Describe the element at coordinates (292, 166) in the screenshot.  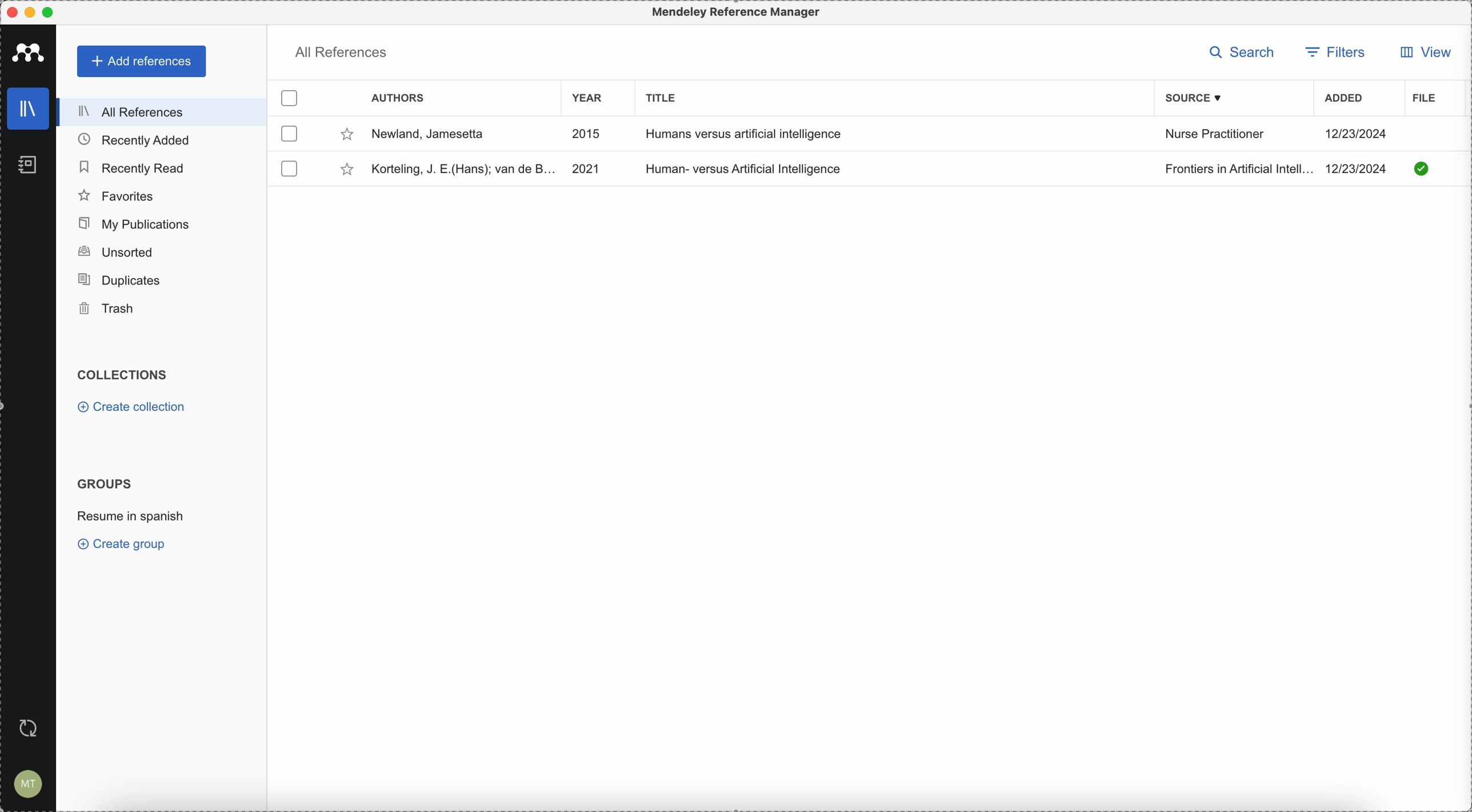
I see `checkbox` at that location.